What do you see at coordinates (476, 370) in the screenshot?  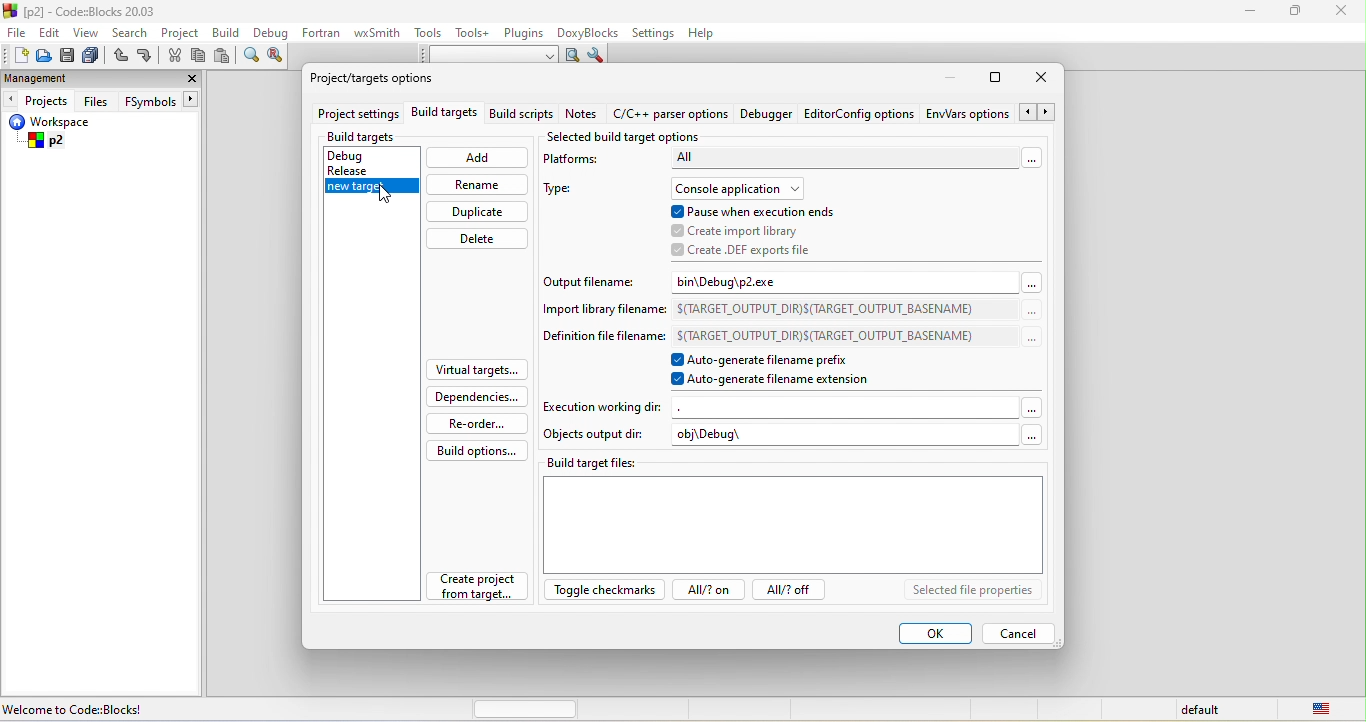 I see `virtual targets` at bounding box center [476, 370].